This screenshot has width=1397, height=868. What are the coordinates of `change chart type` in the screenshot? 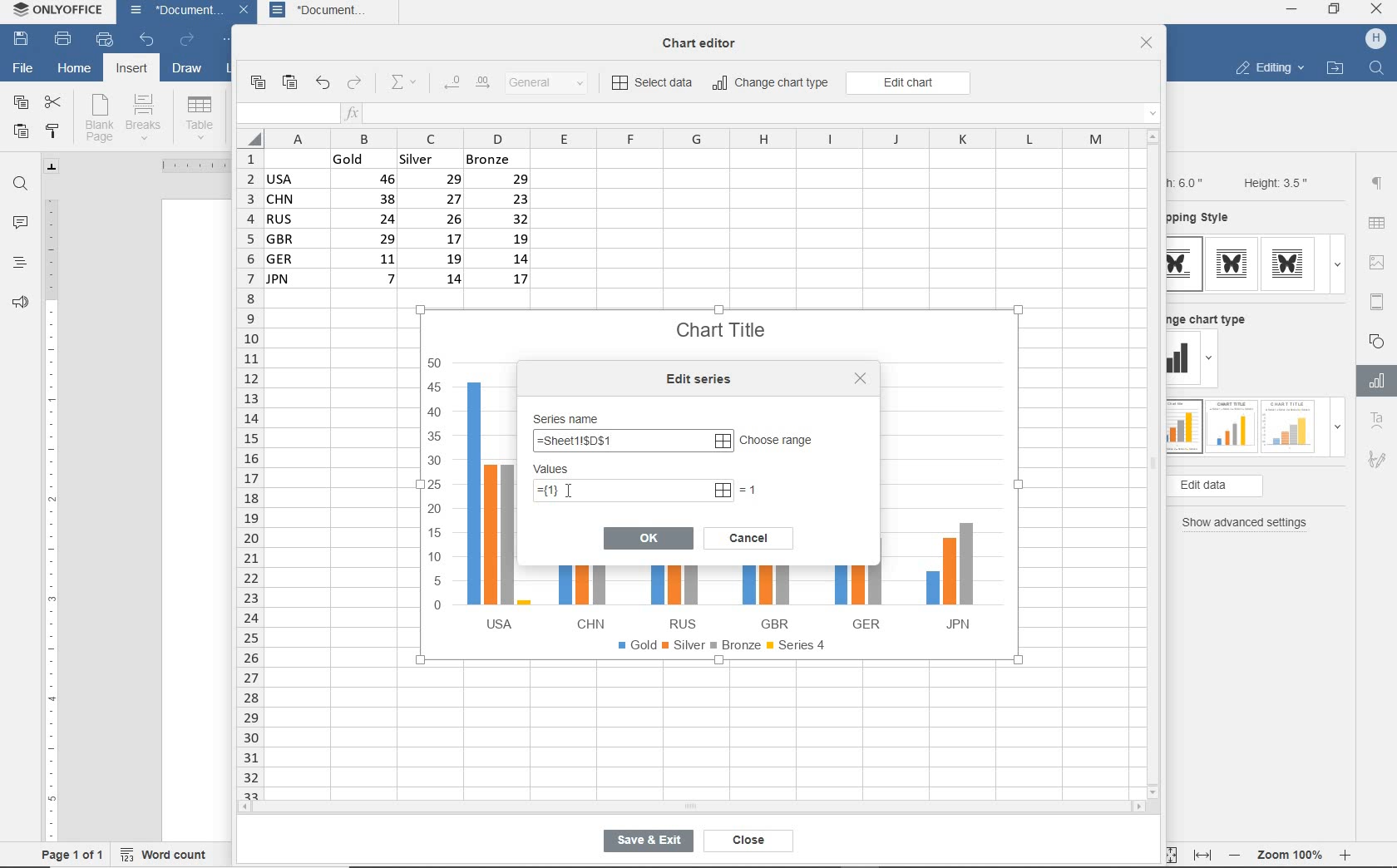 It's located at (772, 84).